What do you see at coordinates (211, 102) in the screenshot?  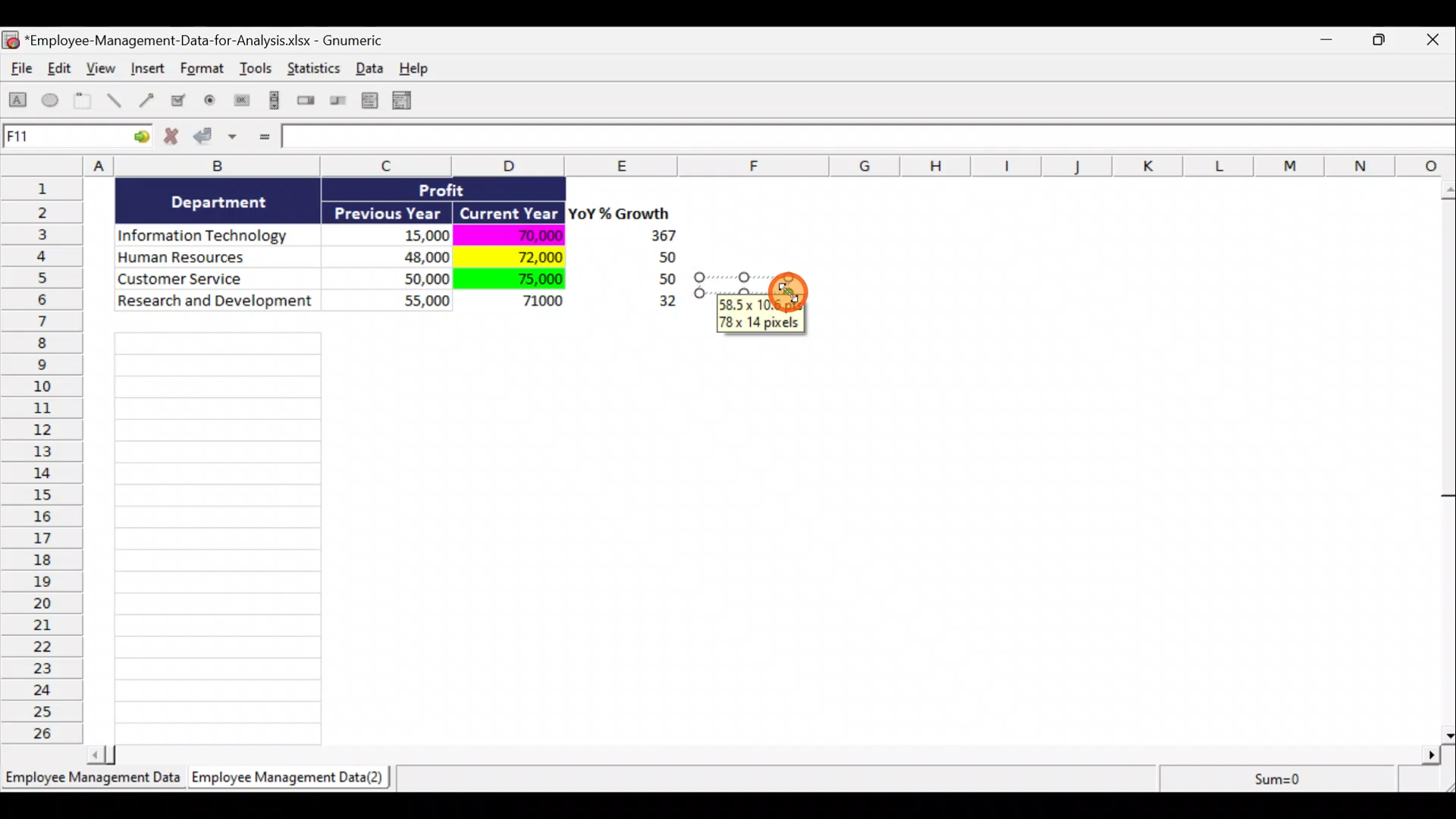 I see `Create a radio button` at bounding box center [211, 102].